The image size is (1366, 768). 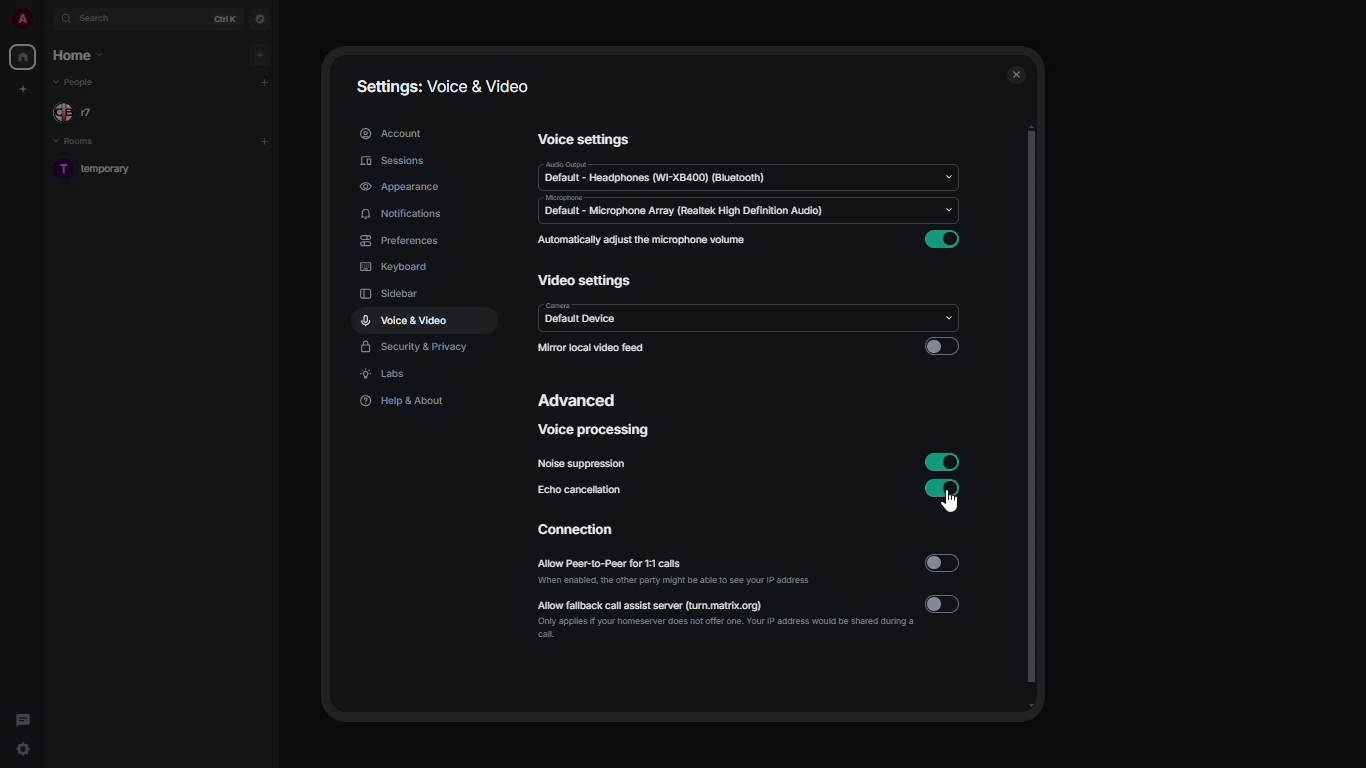 What do you see at coordinates (942, 461) in the screenshot?
I see `enabled` at bounding box center [942, 461].